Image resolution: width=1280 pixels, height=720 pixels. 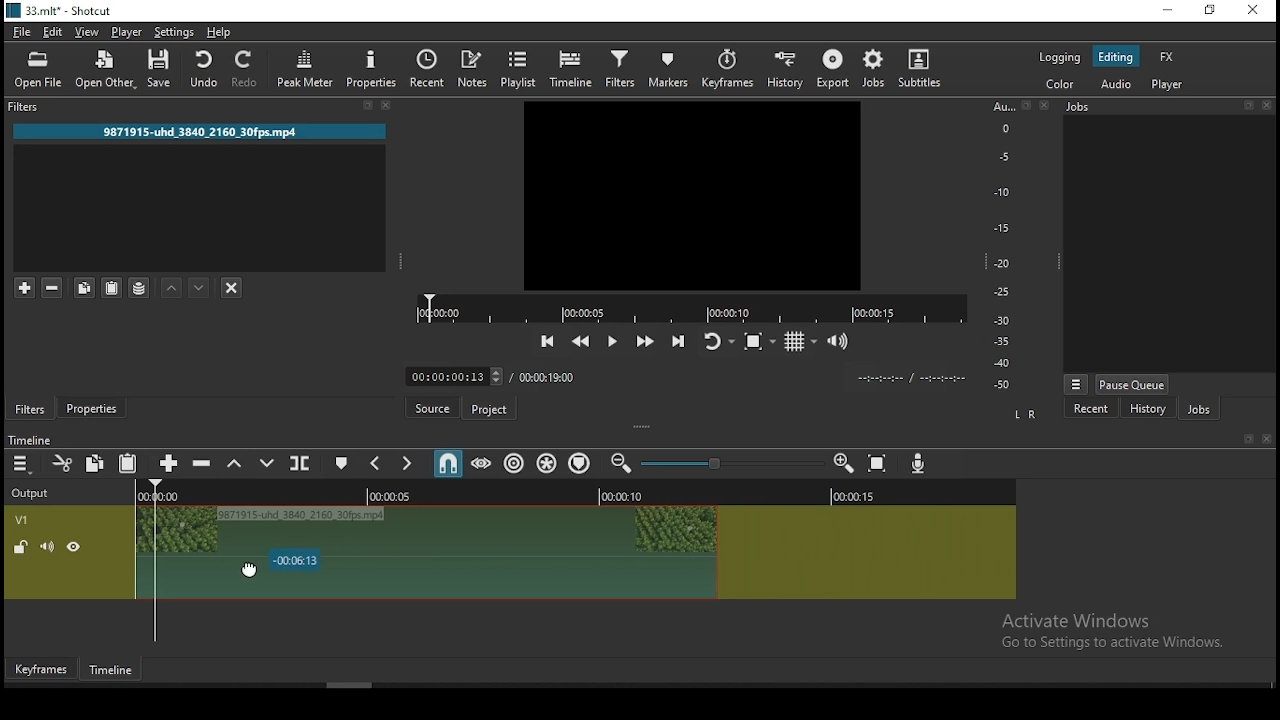 I want to click on save filter sets, so click(x=141, y=286).